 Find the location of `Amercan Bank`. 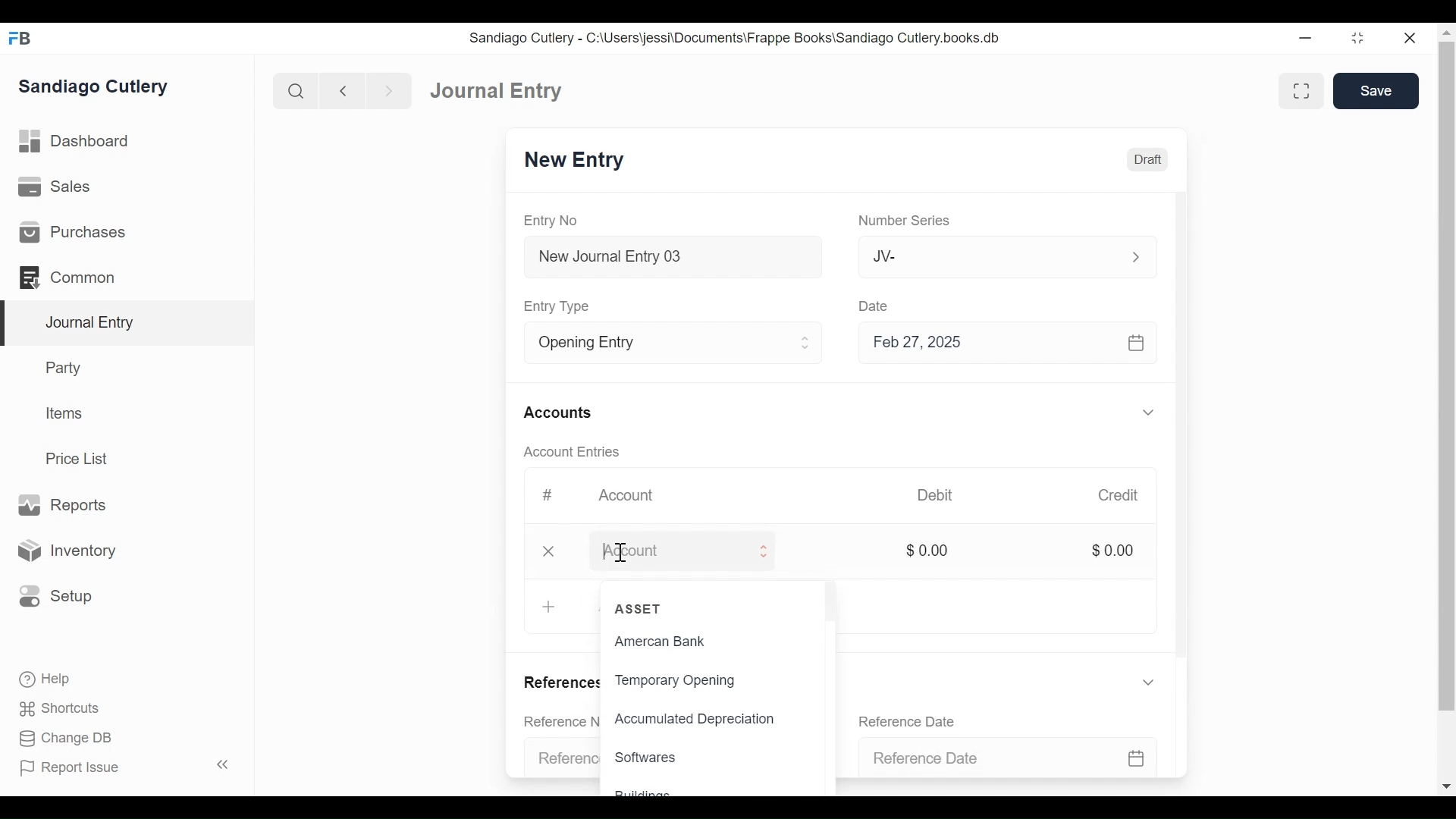

Amercan Bank is located at coordinates (676, 643).